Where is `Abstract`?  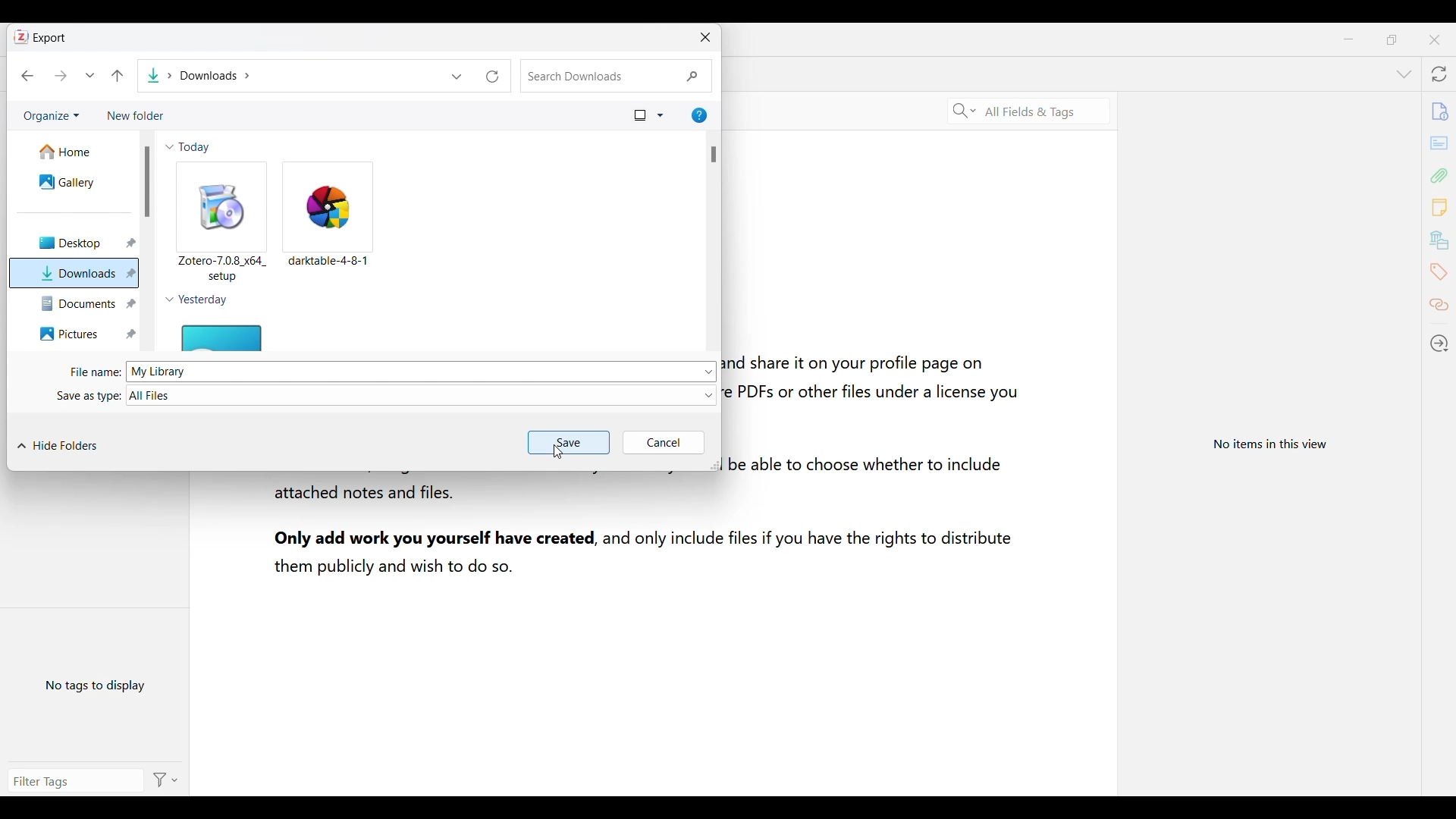
Abstract is located at coordinates (1439, 143).